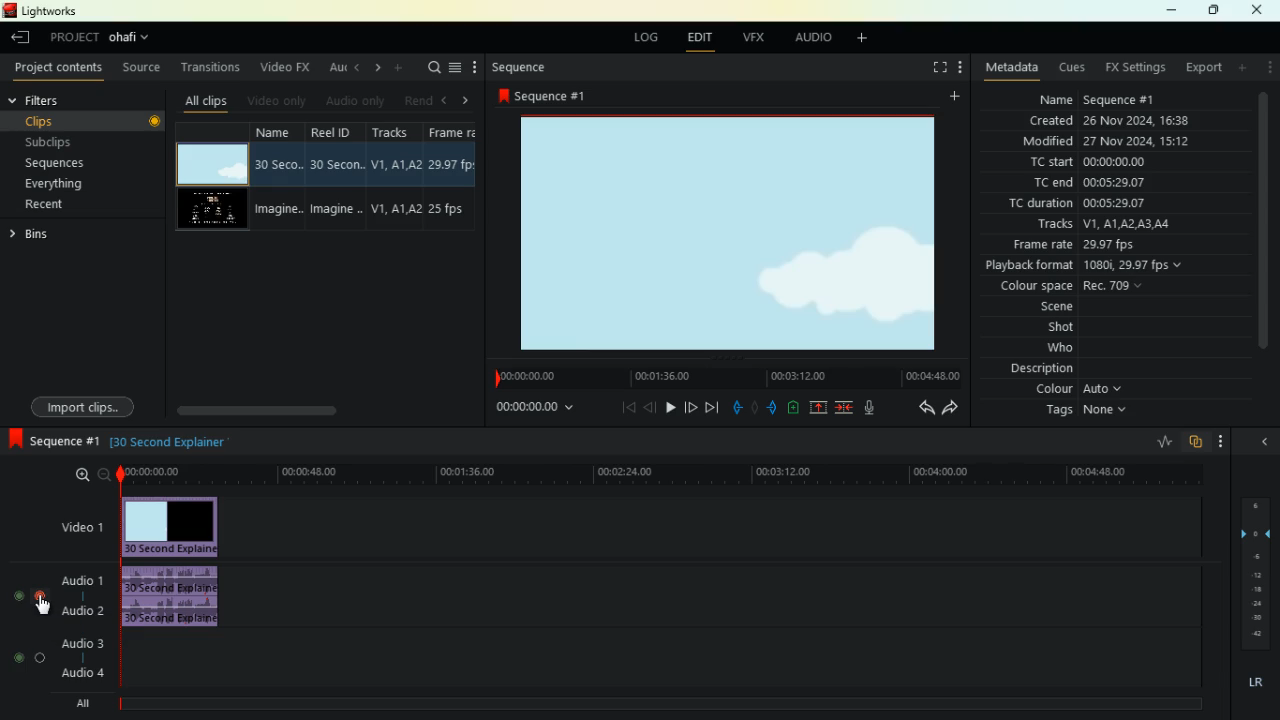 This screenshot has width=1280, height=720. I want to click on transitions, so click(211, 67).